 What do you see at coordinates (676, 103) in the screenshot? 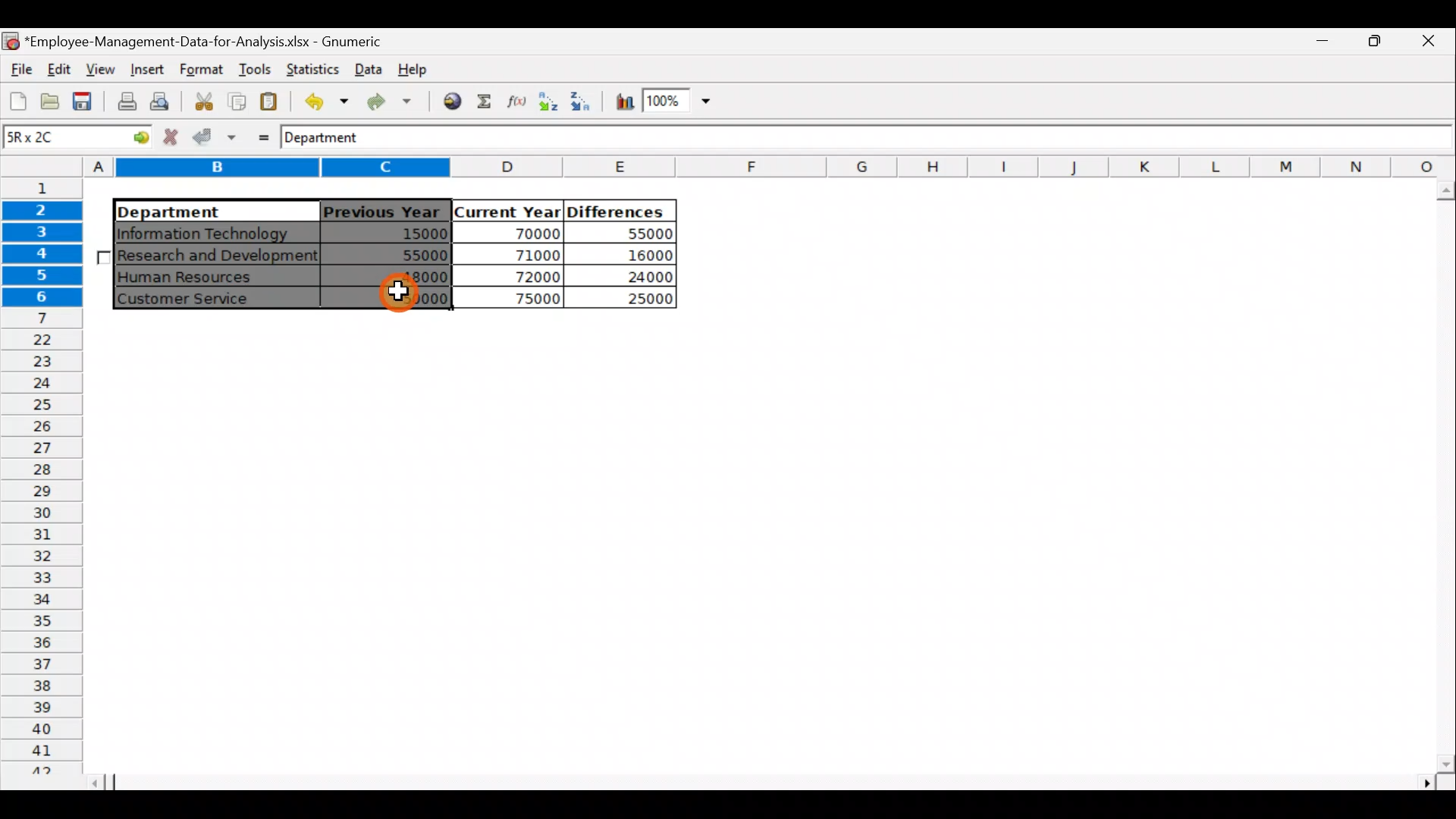
I see `Zoom` at bounding box center [676, 103].